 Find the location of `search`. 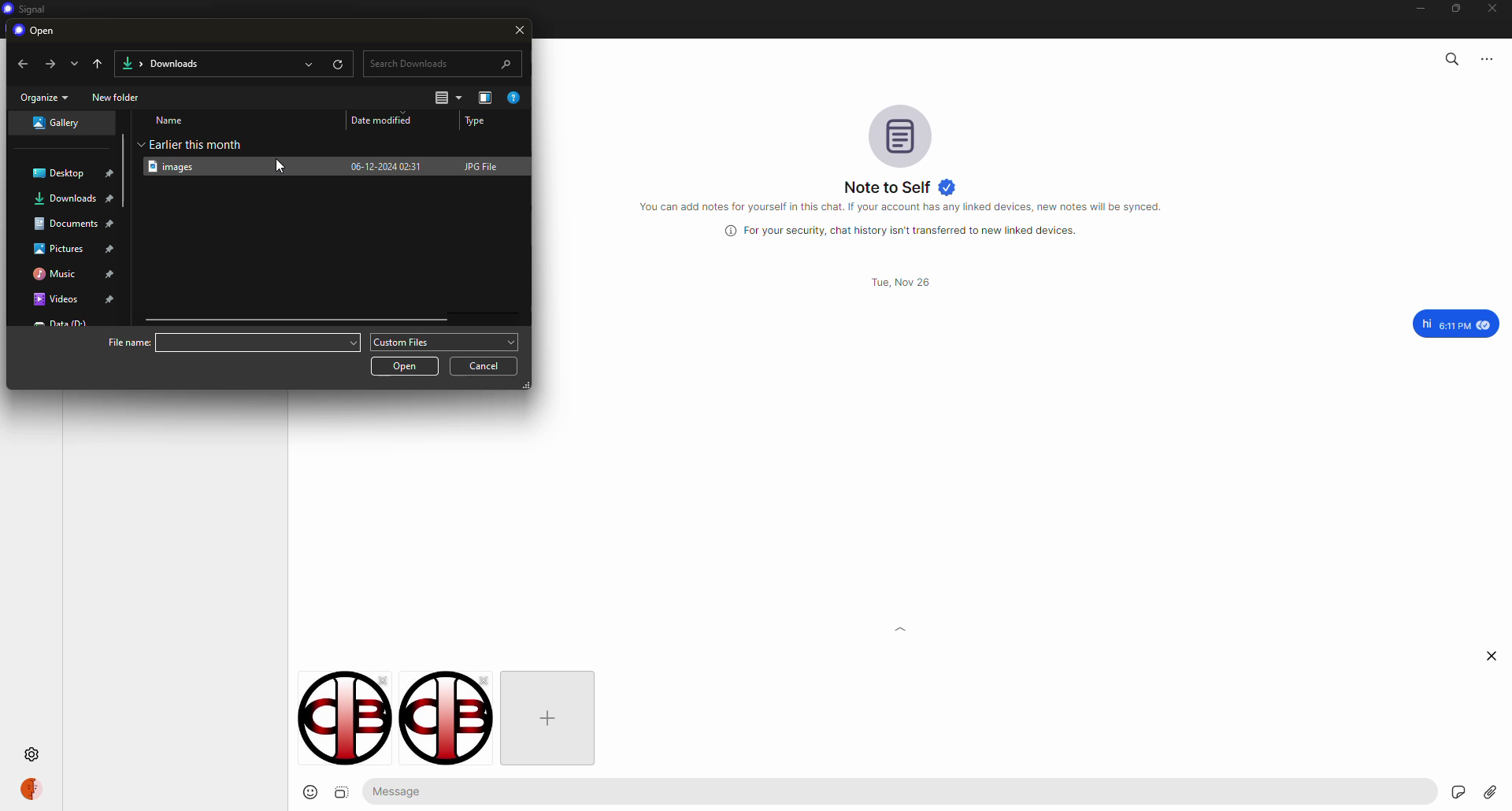

search is located at coordinates (1451, 57).